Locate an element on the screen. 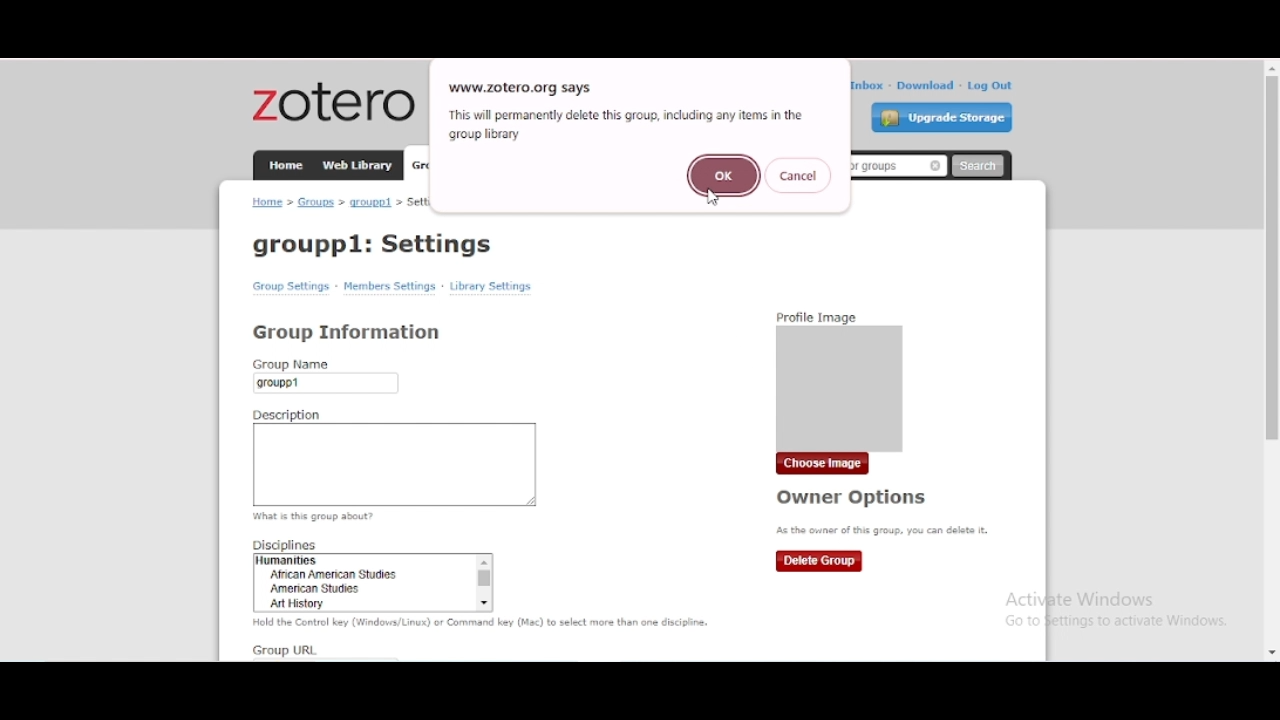 The width and height of the screenshot is (1280, 720). owner options is located at coordinates (853, 498).